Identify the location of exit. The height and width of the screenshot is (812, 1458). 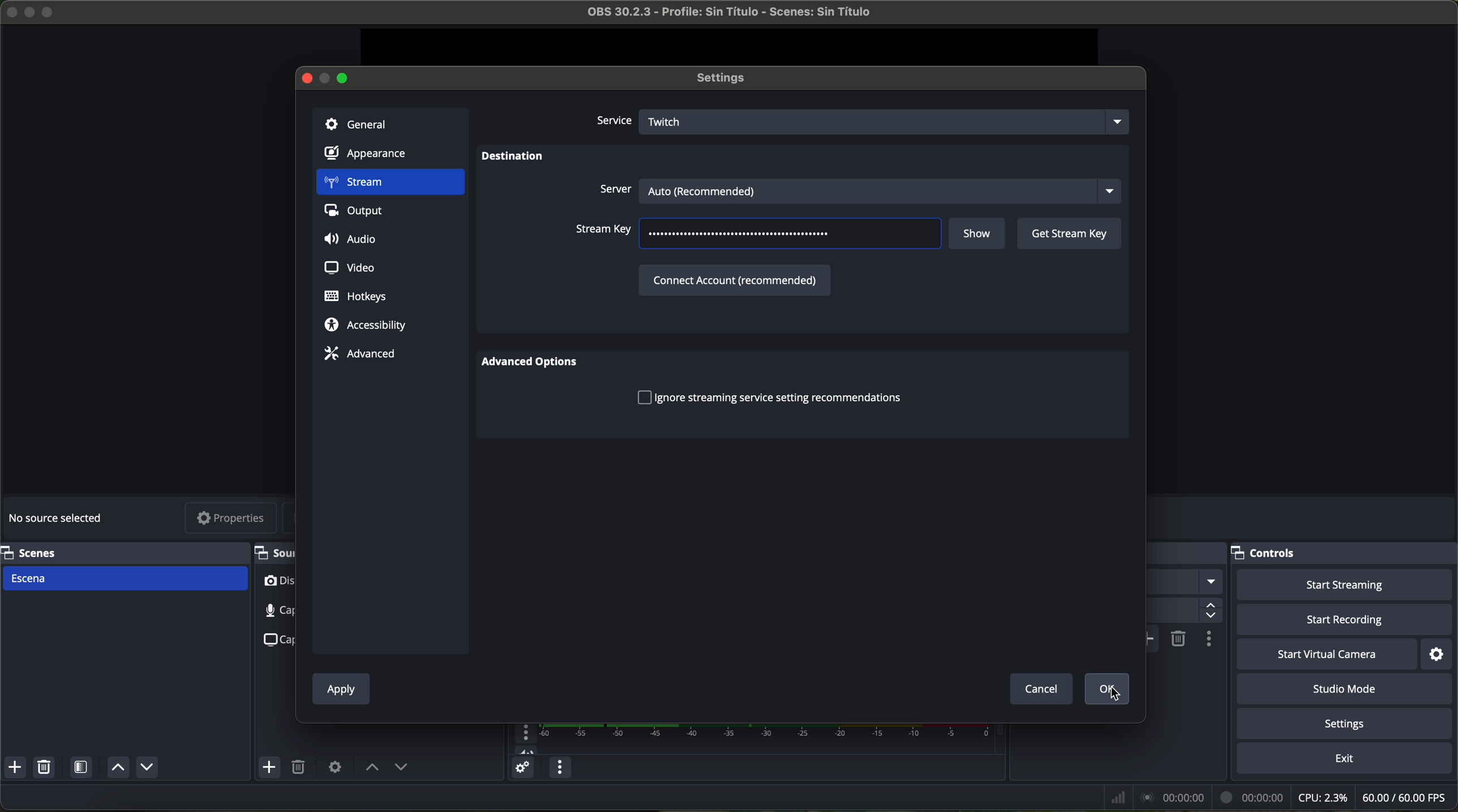
(1346, 761).